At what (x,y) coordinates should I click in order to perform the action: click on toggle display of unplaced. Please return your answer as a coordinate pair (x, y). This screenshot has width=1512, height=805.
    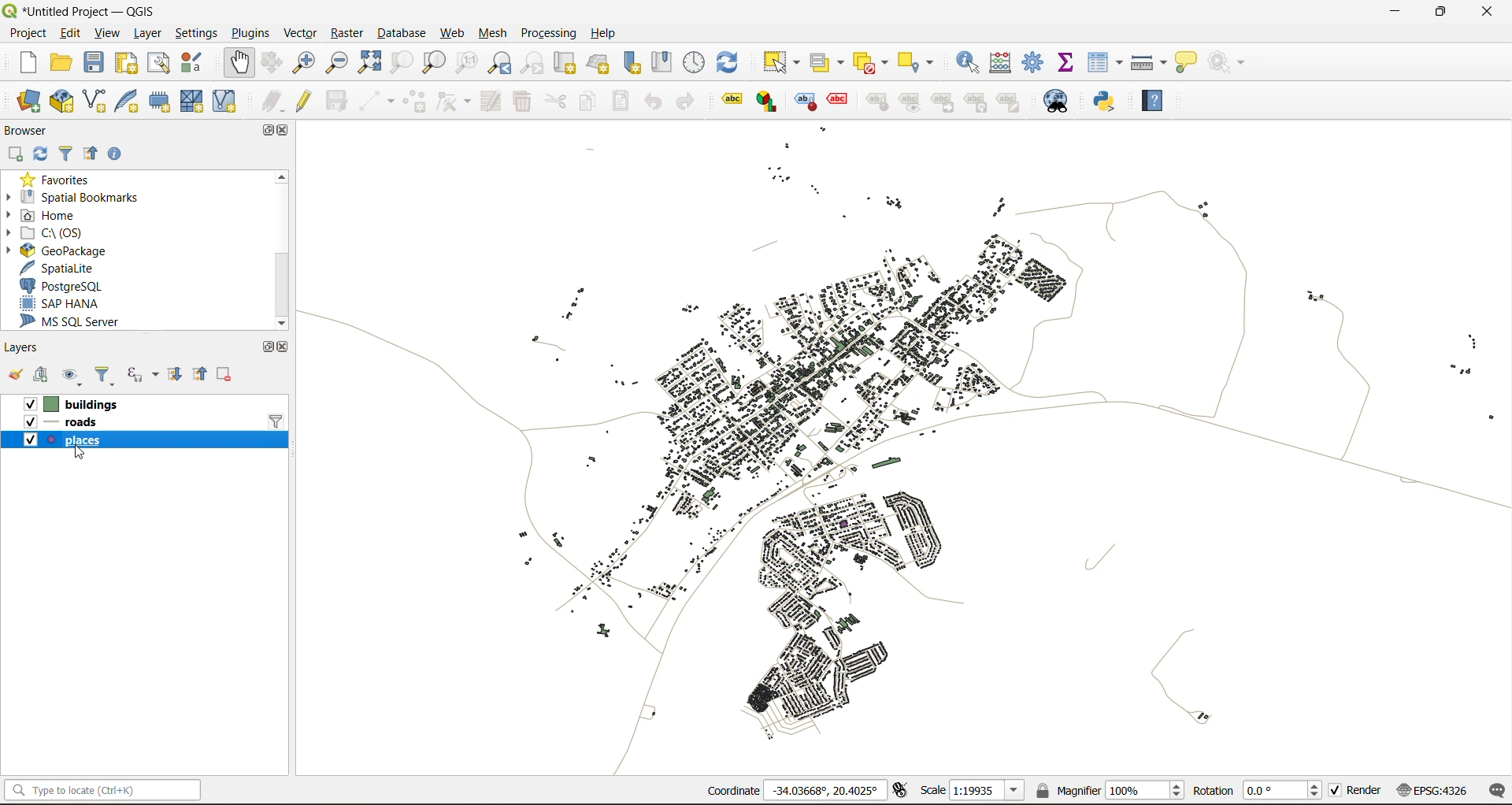
    Looking at the image, I should click on (839, 102).